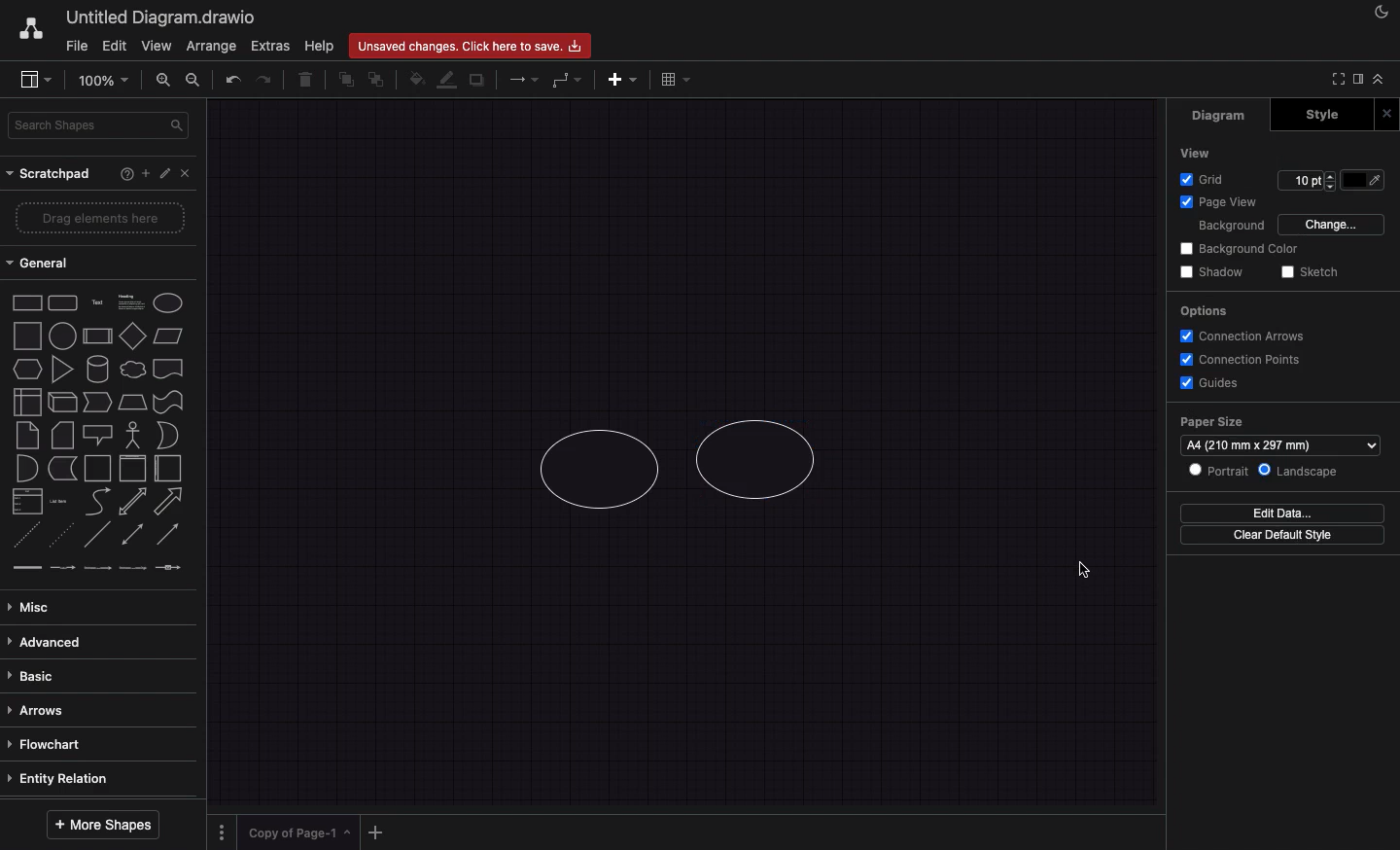 This screenshot has height=850, width=1400. What do you see at coordinates (98, 469) in the screenshot?
I see `container` at bounding box center [98, 469].